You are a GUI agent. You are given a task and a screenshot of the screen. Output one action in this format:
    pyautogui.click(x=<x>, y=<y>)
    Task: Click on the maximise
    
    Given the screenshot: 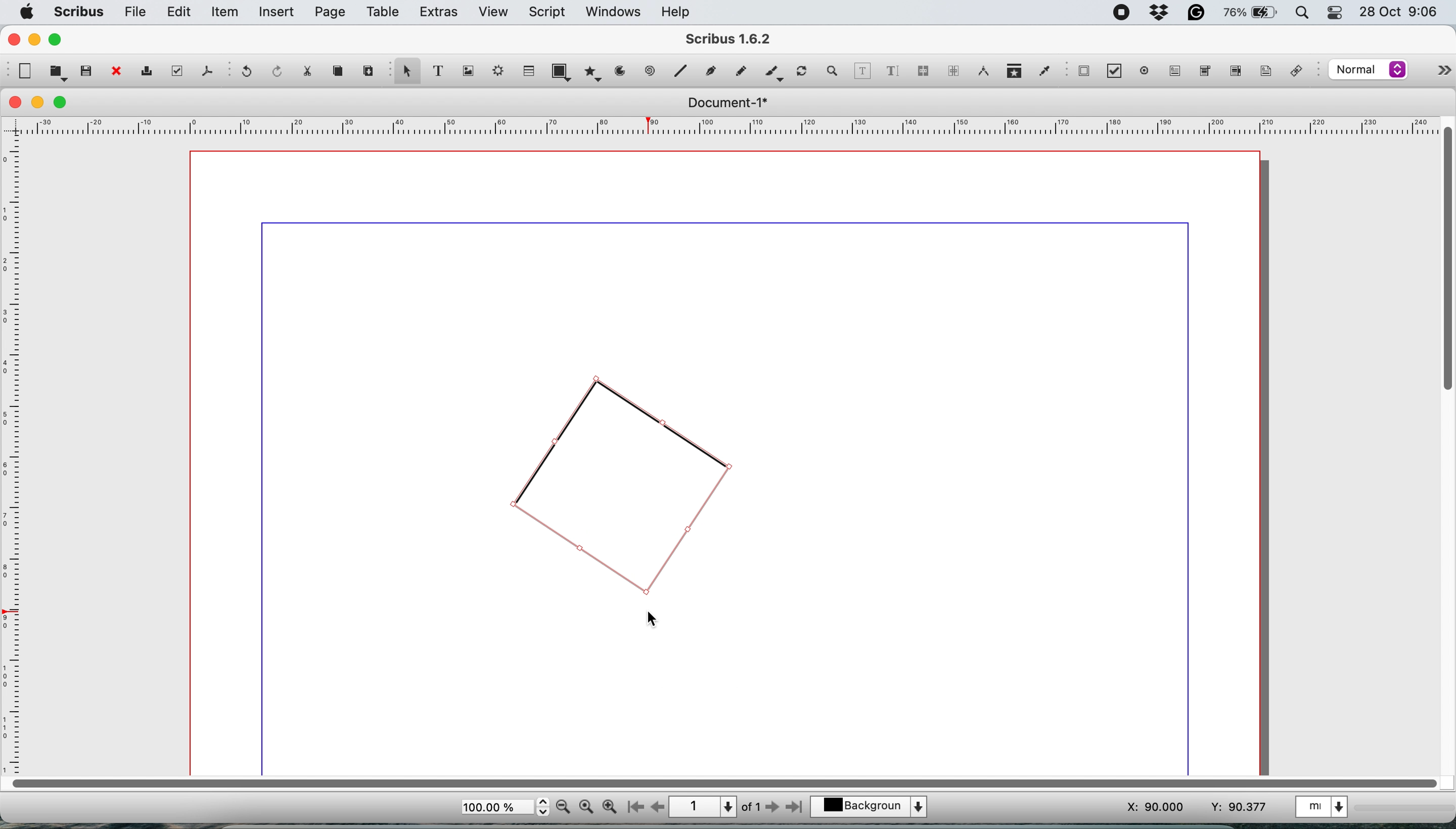 What is the action you would take?
    pyautogui.click(x=63, y=102)
    